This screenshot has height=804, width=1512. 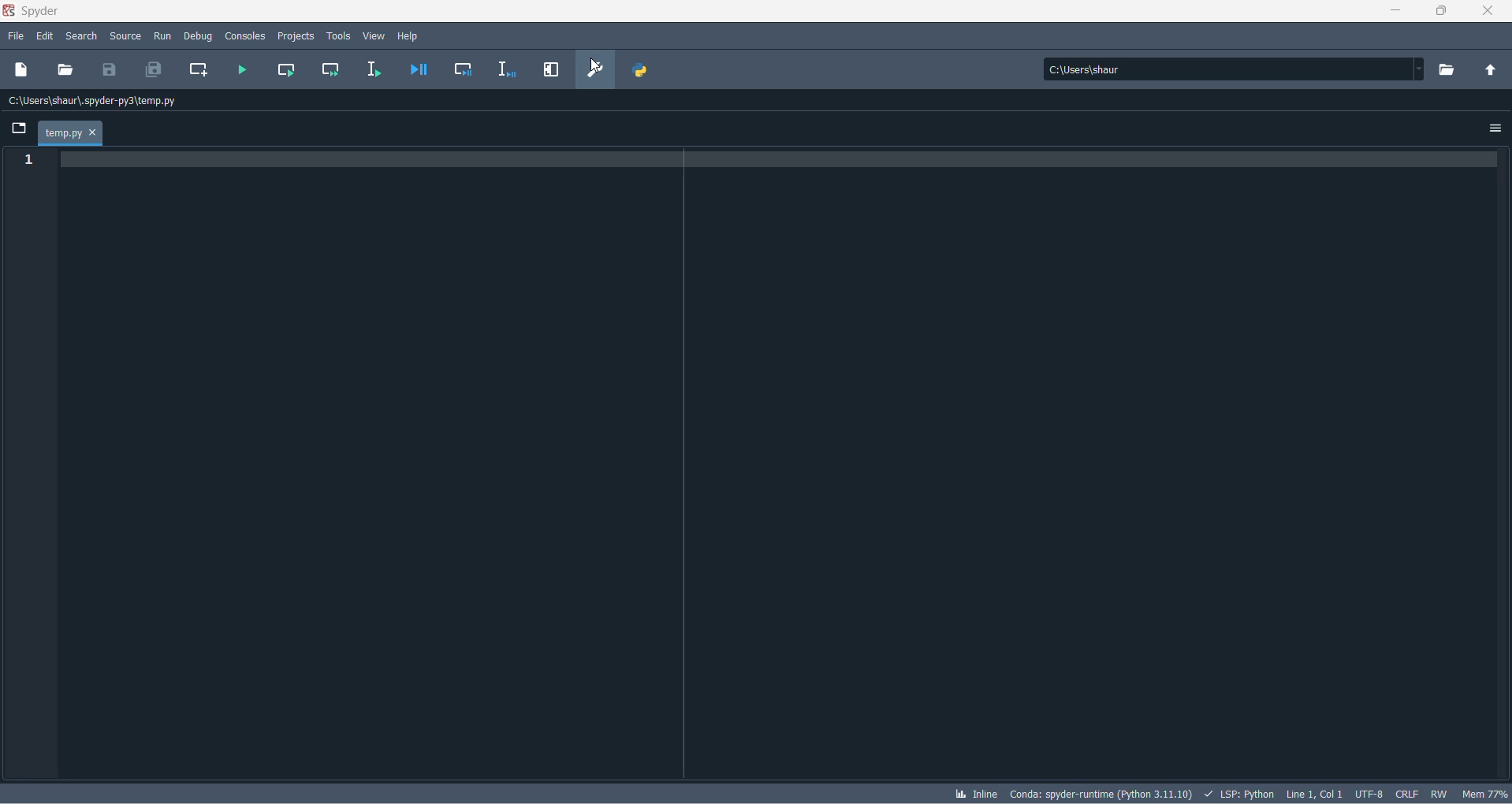 I want to click on new dile, so click(x=22, y=69).